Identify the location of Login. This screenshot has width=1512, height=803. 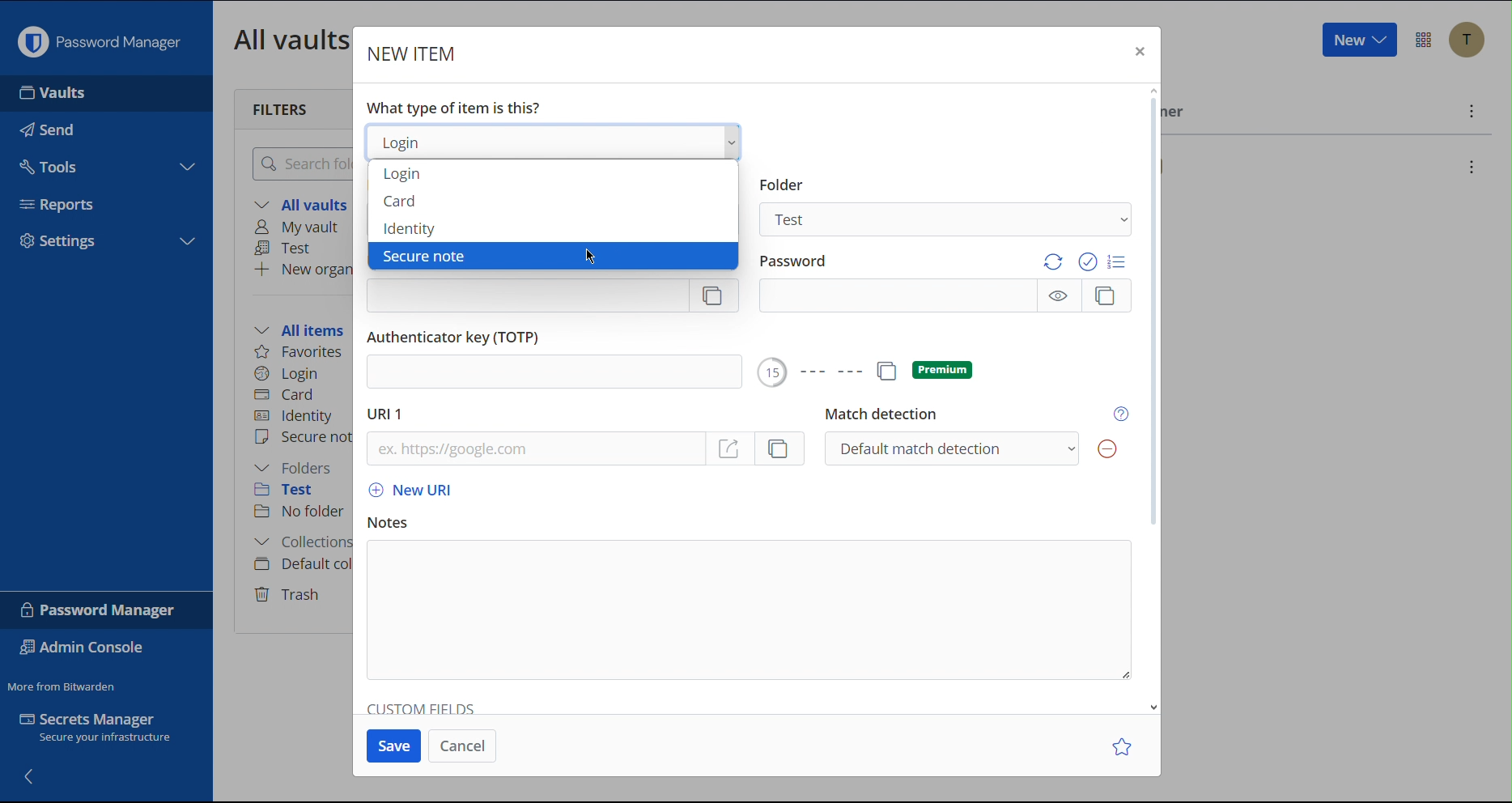
(554, 141).